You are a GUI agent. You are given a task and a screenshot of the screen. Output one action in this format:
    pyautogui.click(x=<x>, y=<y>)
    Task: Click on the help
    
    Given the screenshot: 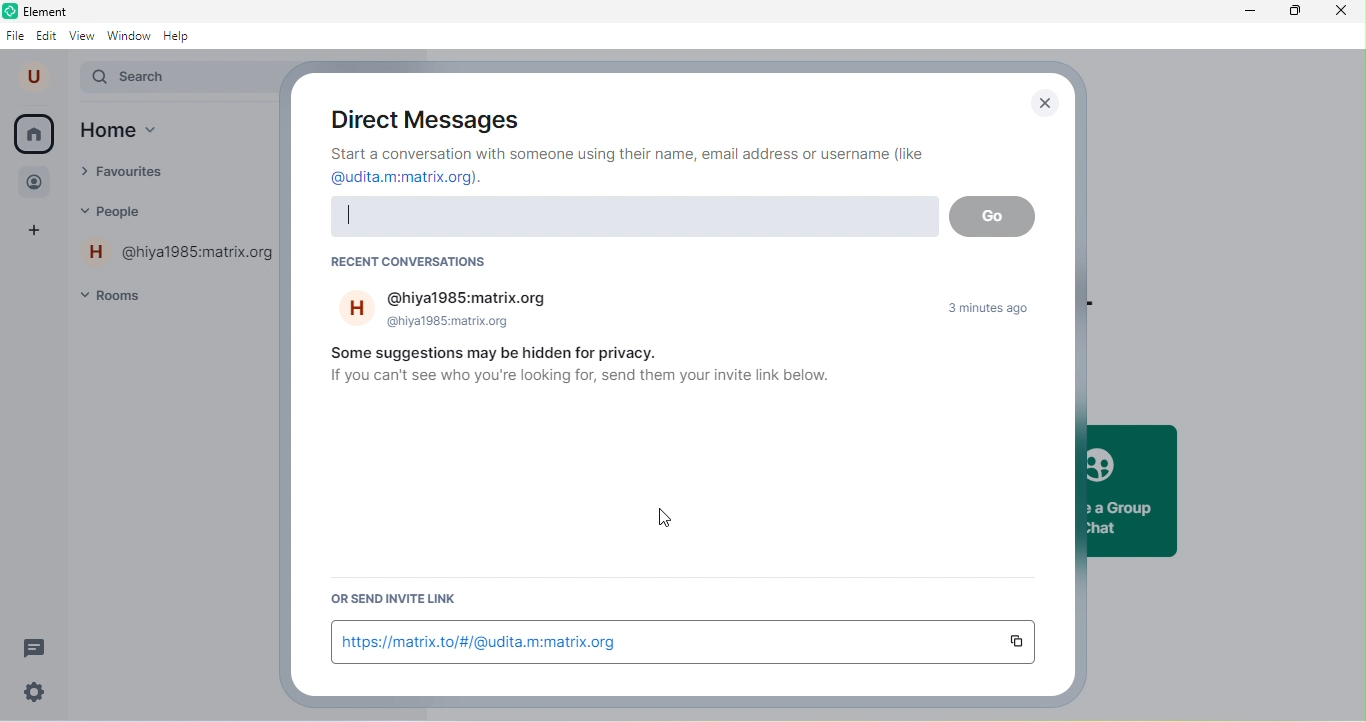 What is the action you would take?
    pyautogui.click(x=182, y=36)
    